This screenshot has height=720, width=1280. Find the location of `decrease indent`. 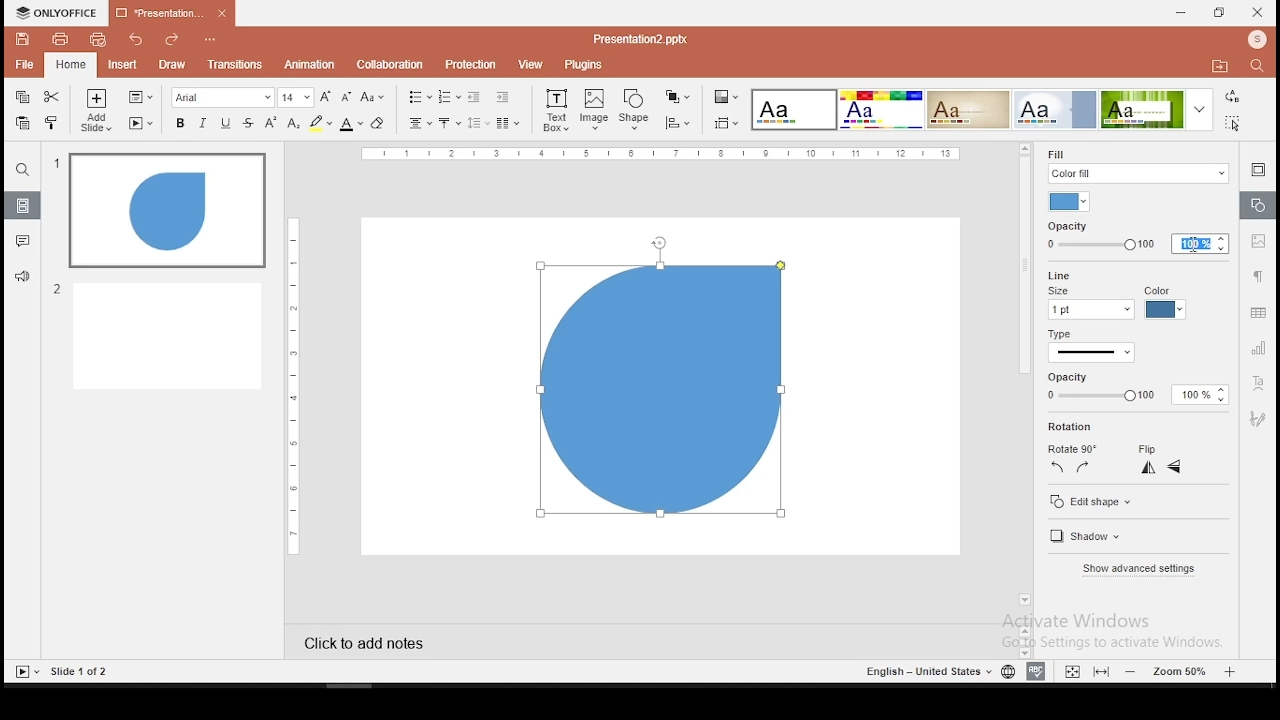

decrease indent is located at coordinates (473, 97).